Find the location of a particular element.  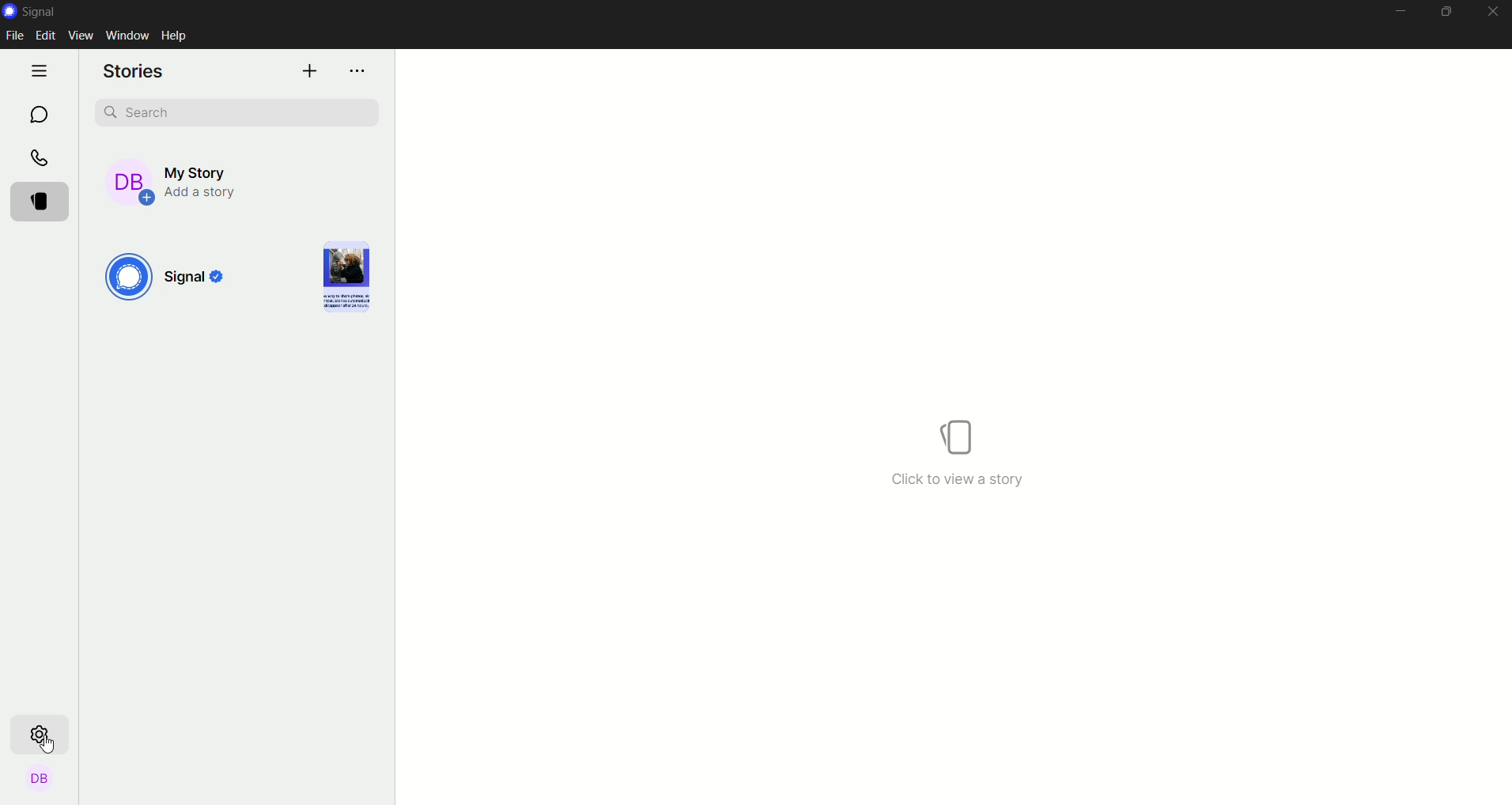

Cursor is located at coordinates (51, 747).